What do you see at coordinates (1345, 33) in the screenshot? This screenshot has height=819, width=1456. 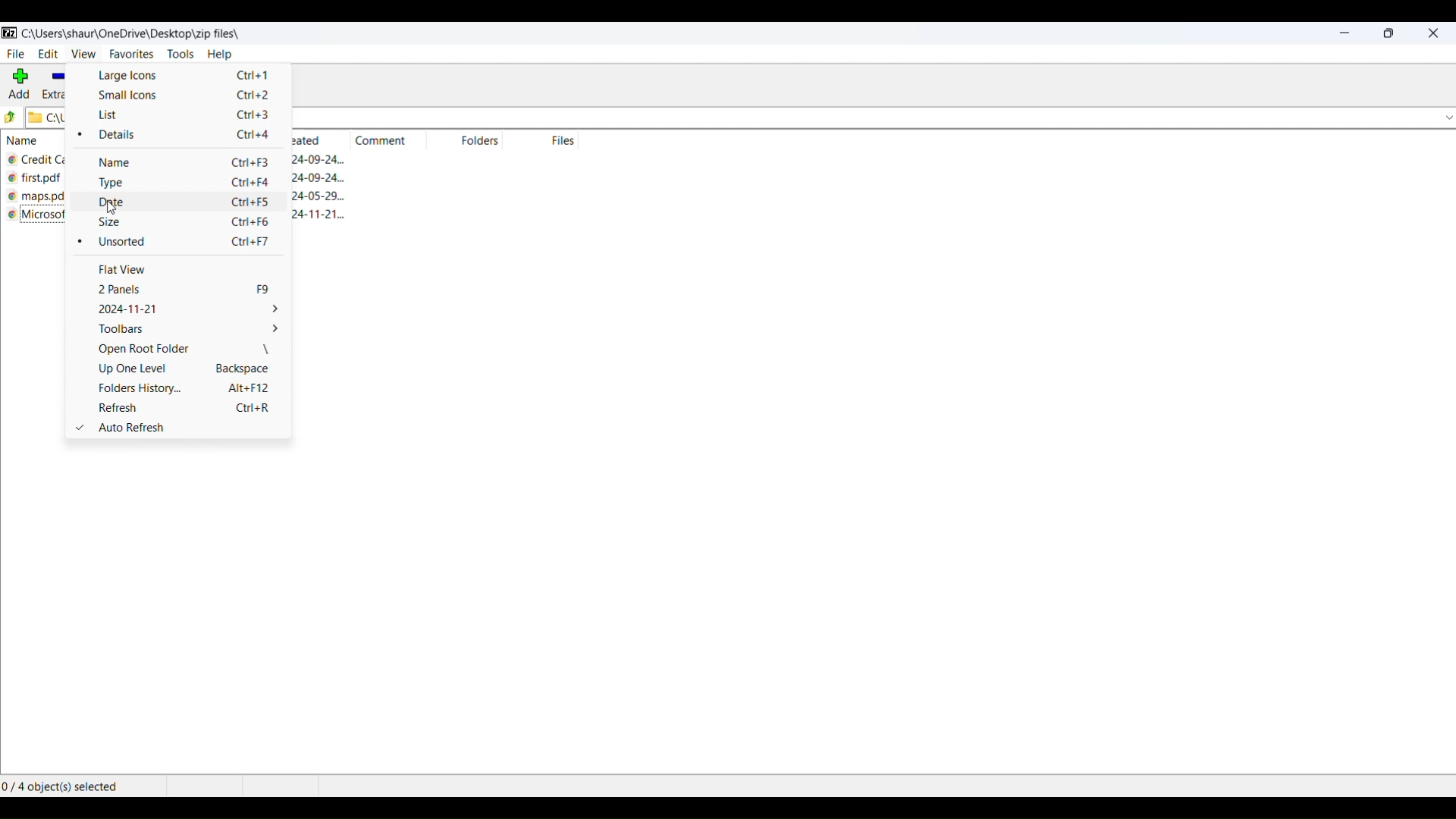 I see `minimize` at bounding box center [1345, 33].